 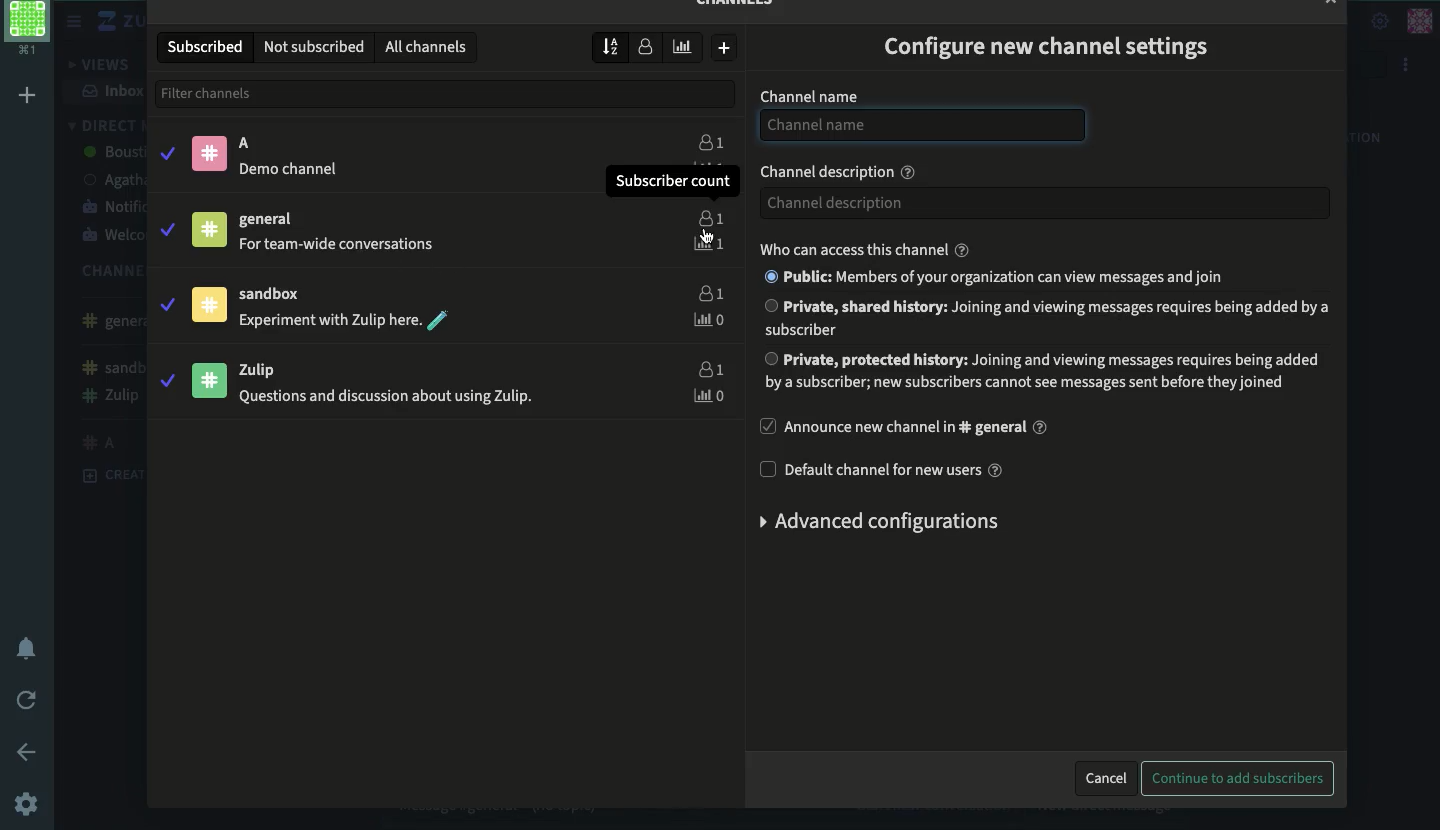 What do you see at coordinates (170, 268) in the screenshot?
I see `subscribe\unsubscribe` at bounding box center [170, 268].